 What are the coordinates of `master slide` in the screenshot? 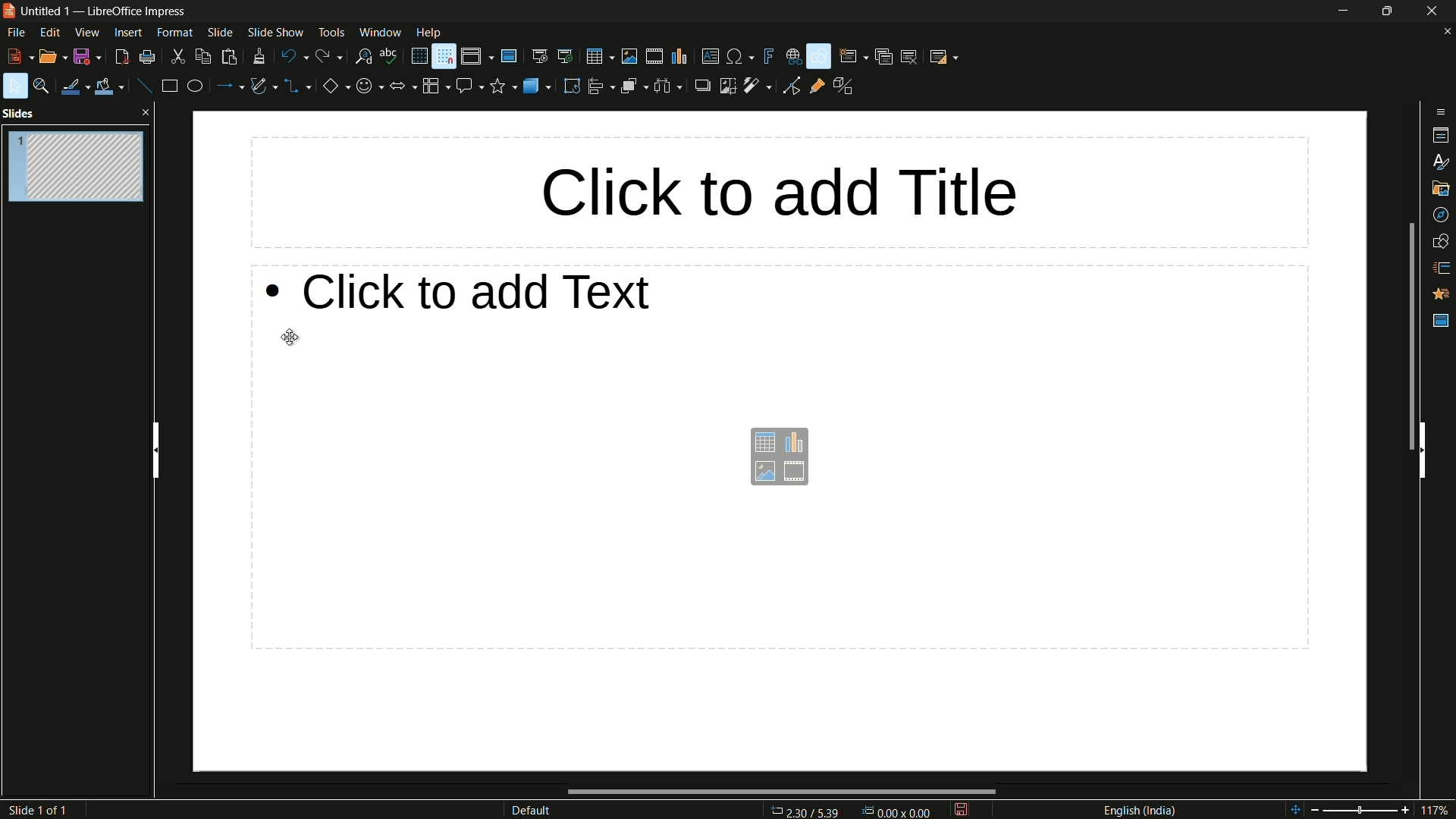 It's located at (509, 56).